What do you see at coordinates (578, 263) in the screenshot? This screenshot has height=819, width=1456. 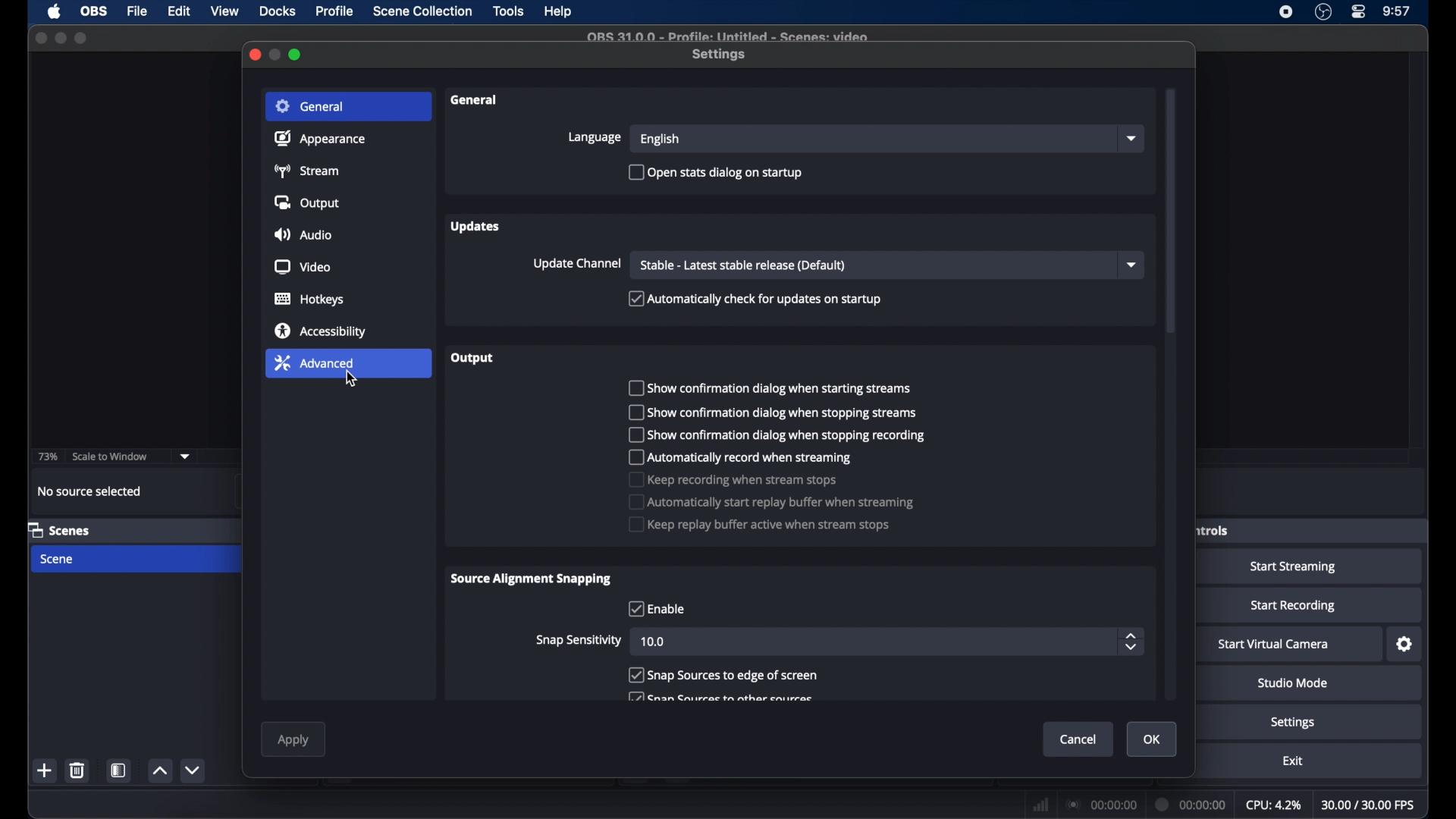 I see `update channel` at bounding box center [578, 263].